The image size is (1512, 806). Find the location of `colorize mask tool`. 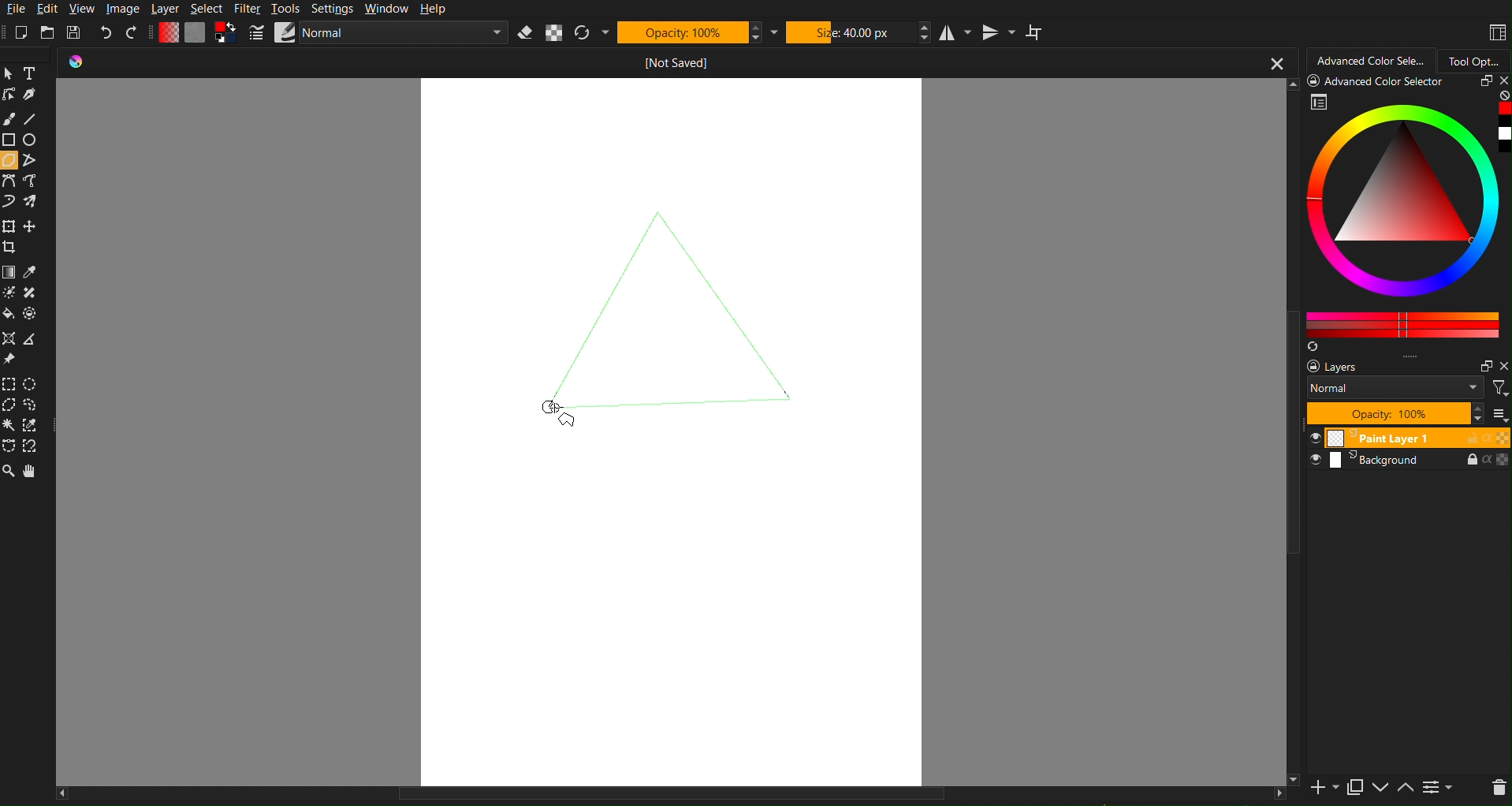

colorize mask tool is located at coordinates (12, 293).